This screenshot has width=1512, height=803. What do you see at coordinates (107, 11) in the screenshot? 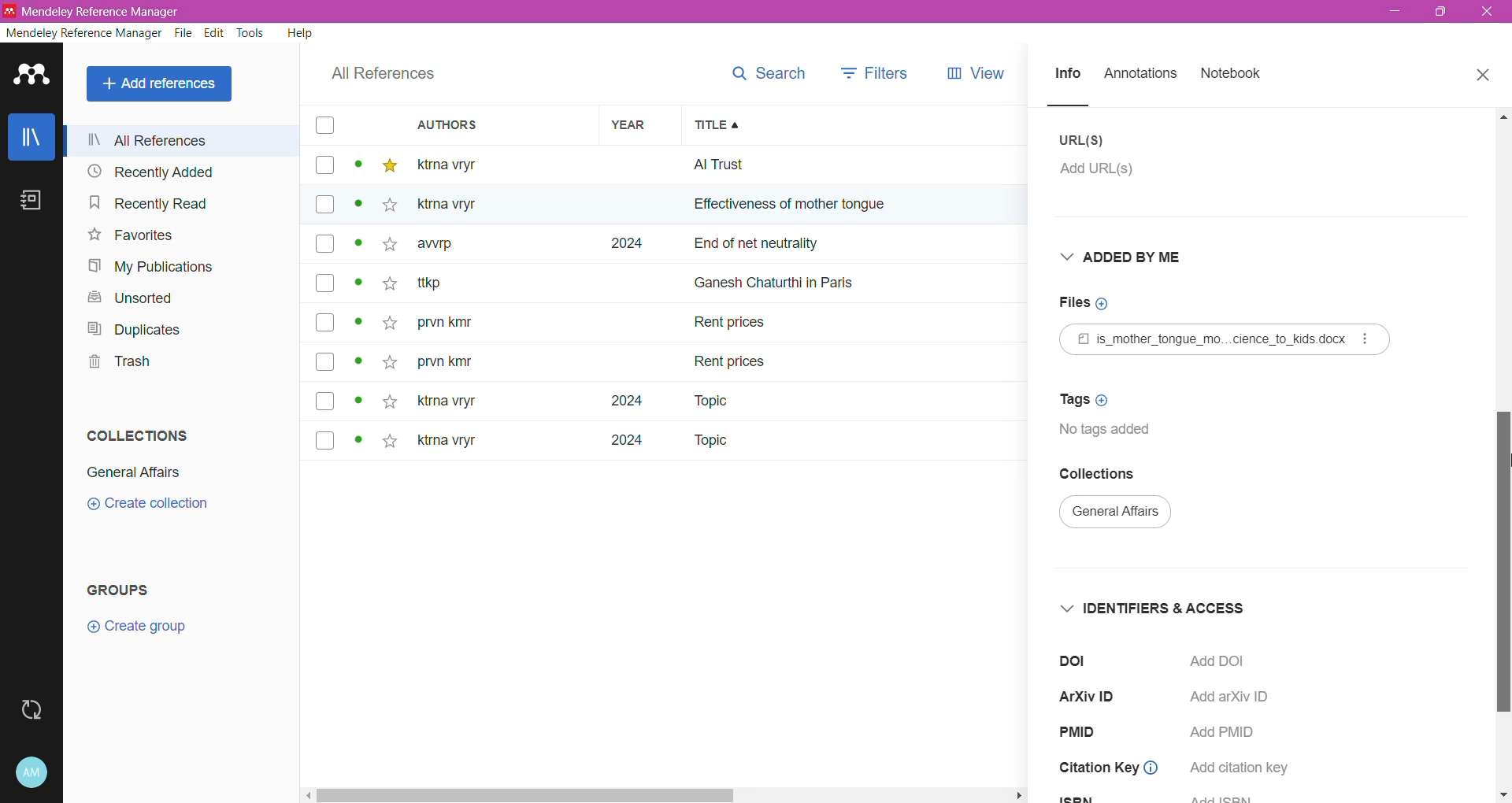
I see `Application Name` at bounding box center [107, 11].